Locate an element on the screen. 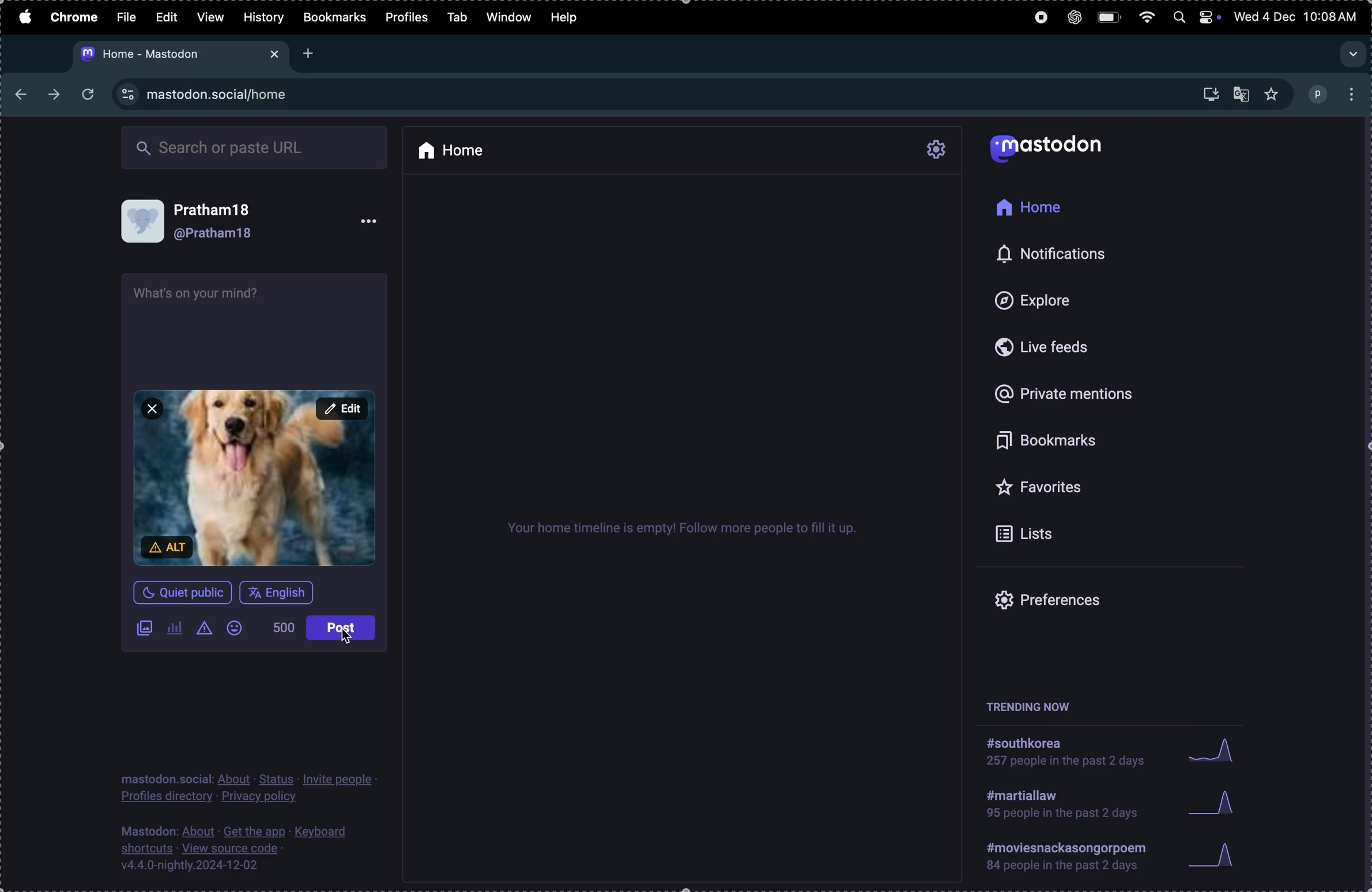 This screenshot has width=1372, height=892. Tab is located at coordinates (457, 16).